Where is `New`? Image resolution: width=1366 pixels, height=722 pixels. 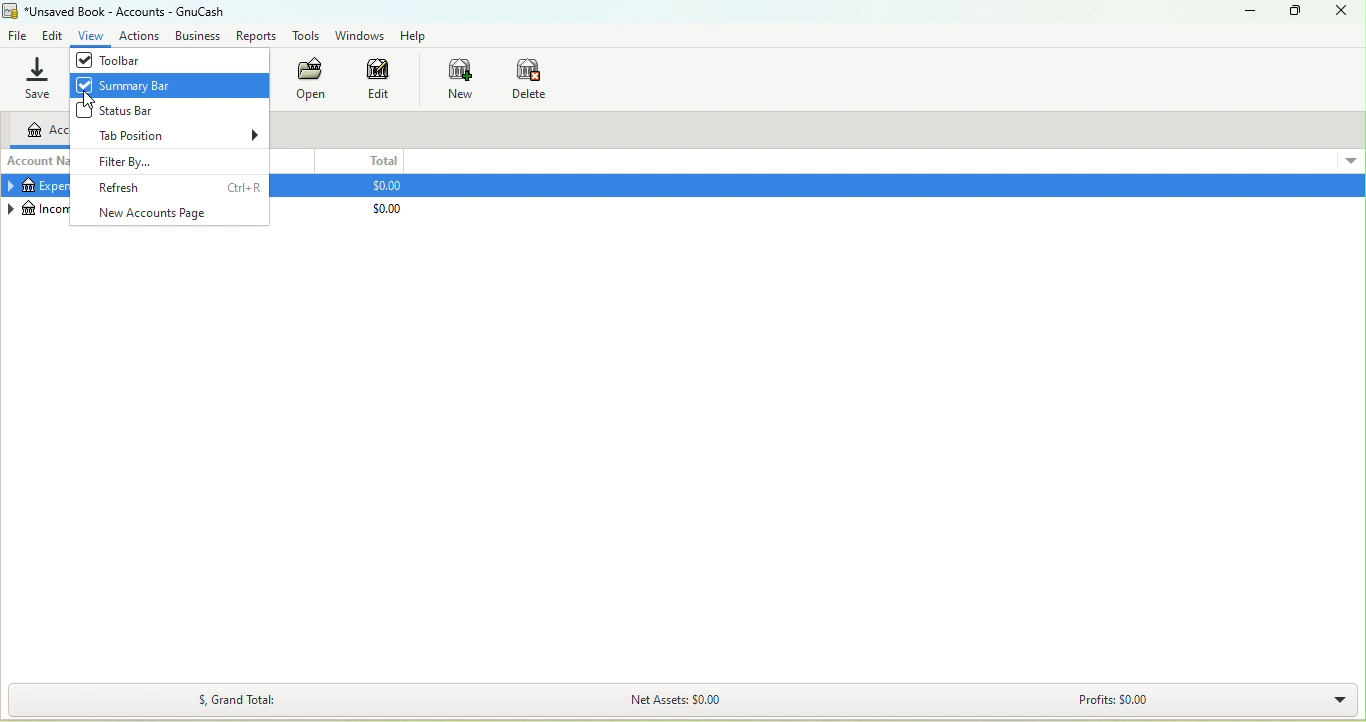 New is located at coordinates (459, 80).